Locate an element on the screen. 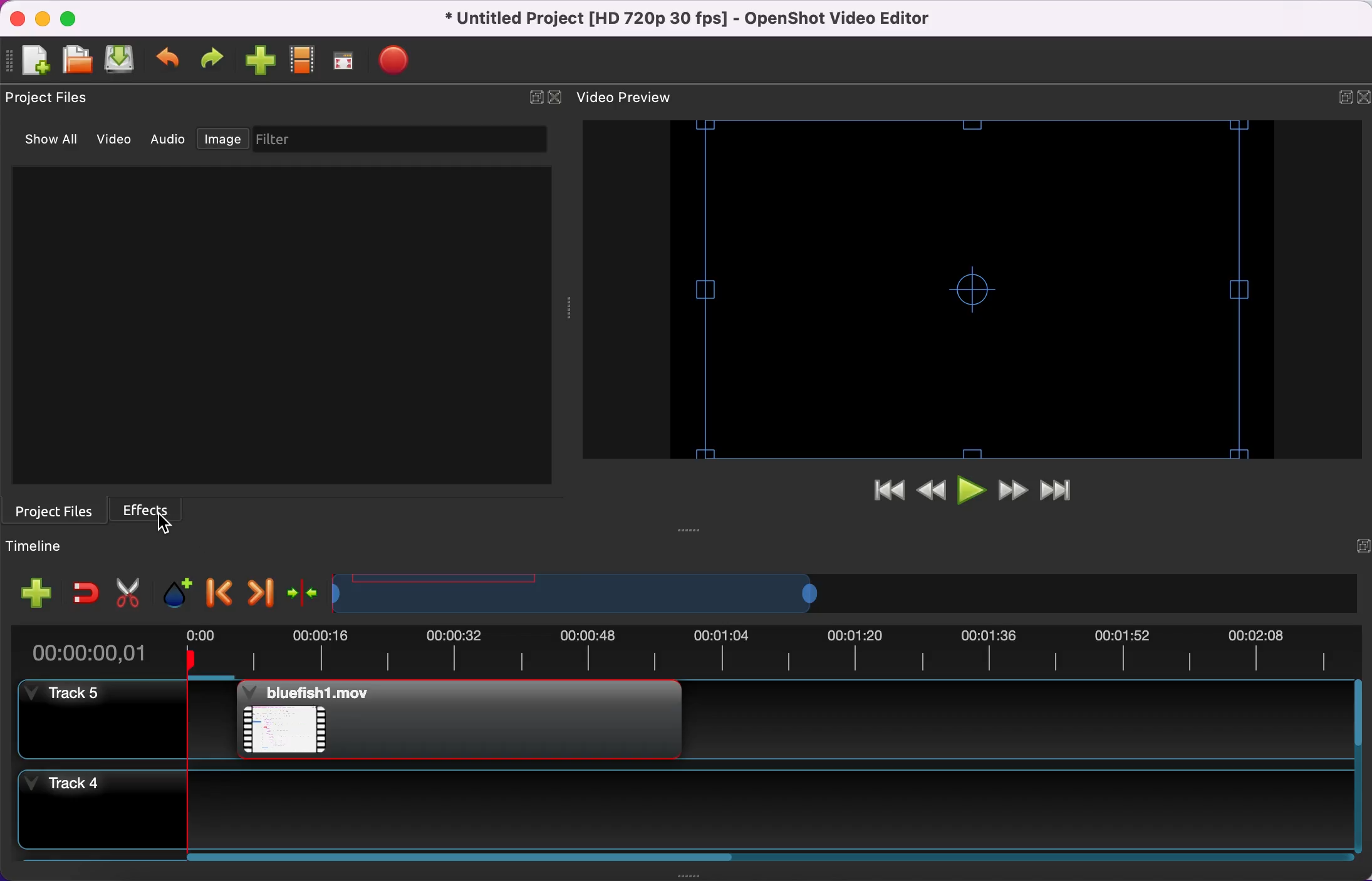 Image resolution: width=1372 pixels, height=881 pixels. track 5 is located at coordinates (690, 726).